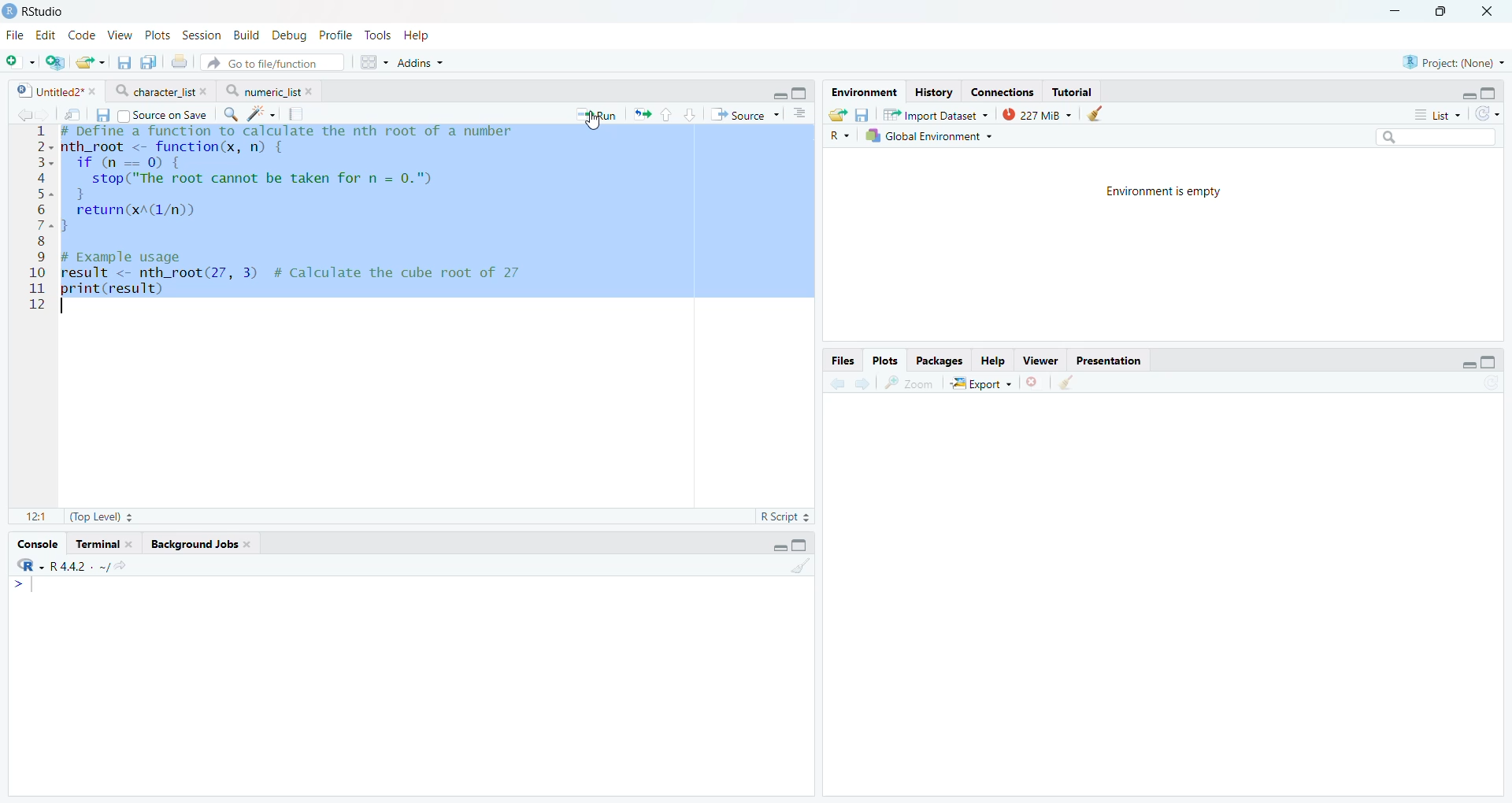 The width and height of the screenshot is (1512, 803). Describe the element at coordinates (933, 92) in the screenshot. I see `History` at that location.